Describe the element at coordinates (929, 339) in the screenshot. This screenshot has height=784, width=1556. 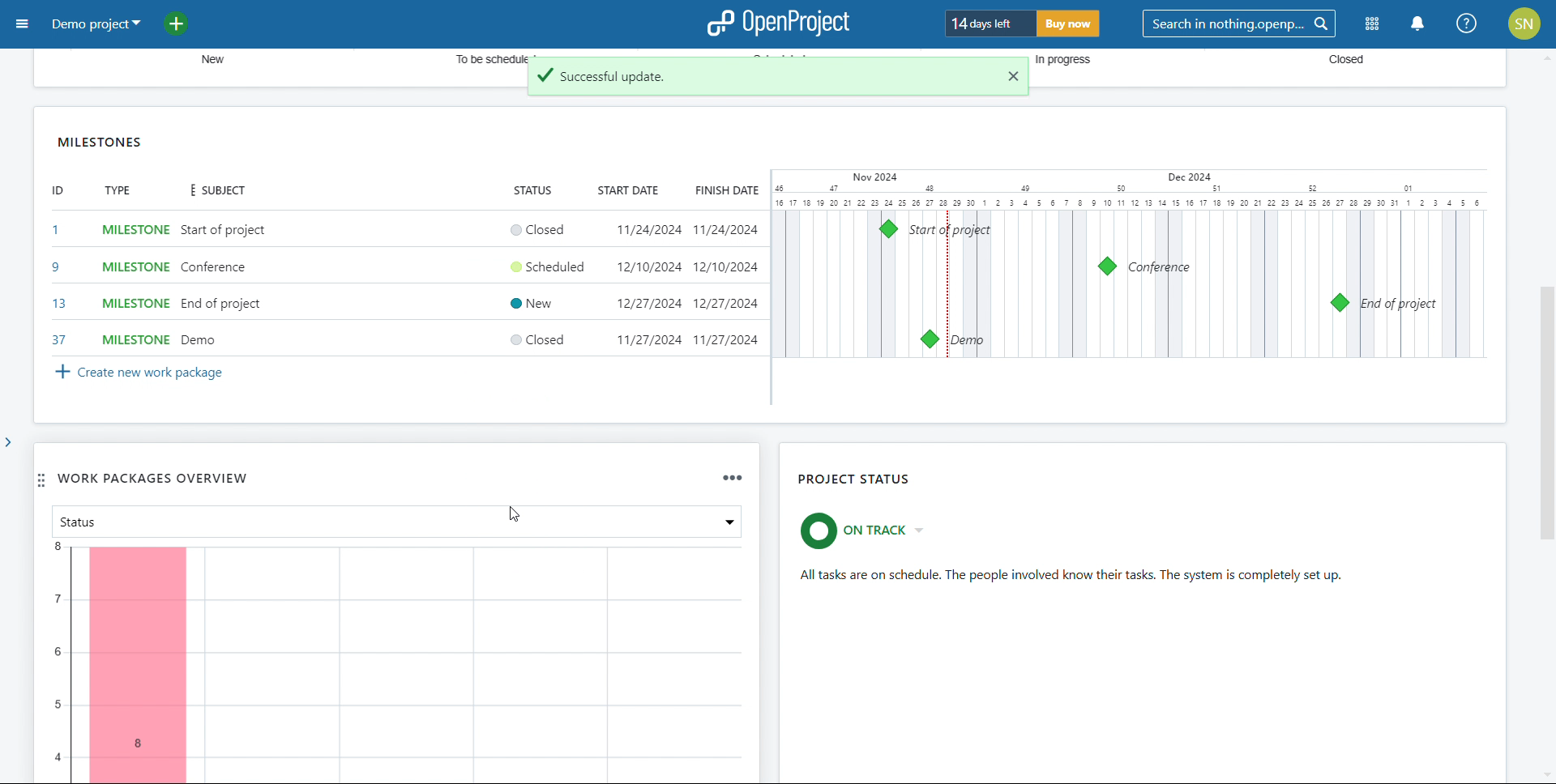
I see `milestone 37` at that location.